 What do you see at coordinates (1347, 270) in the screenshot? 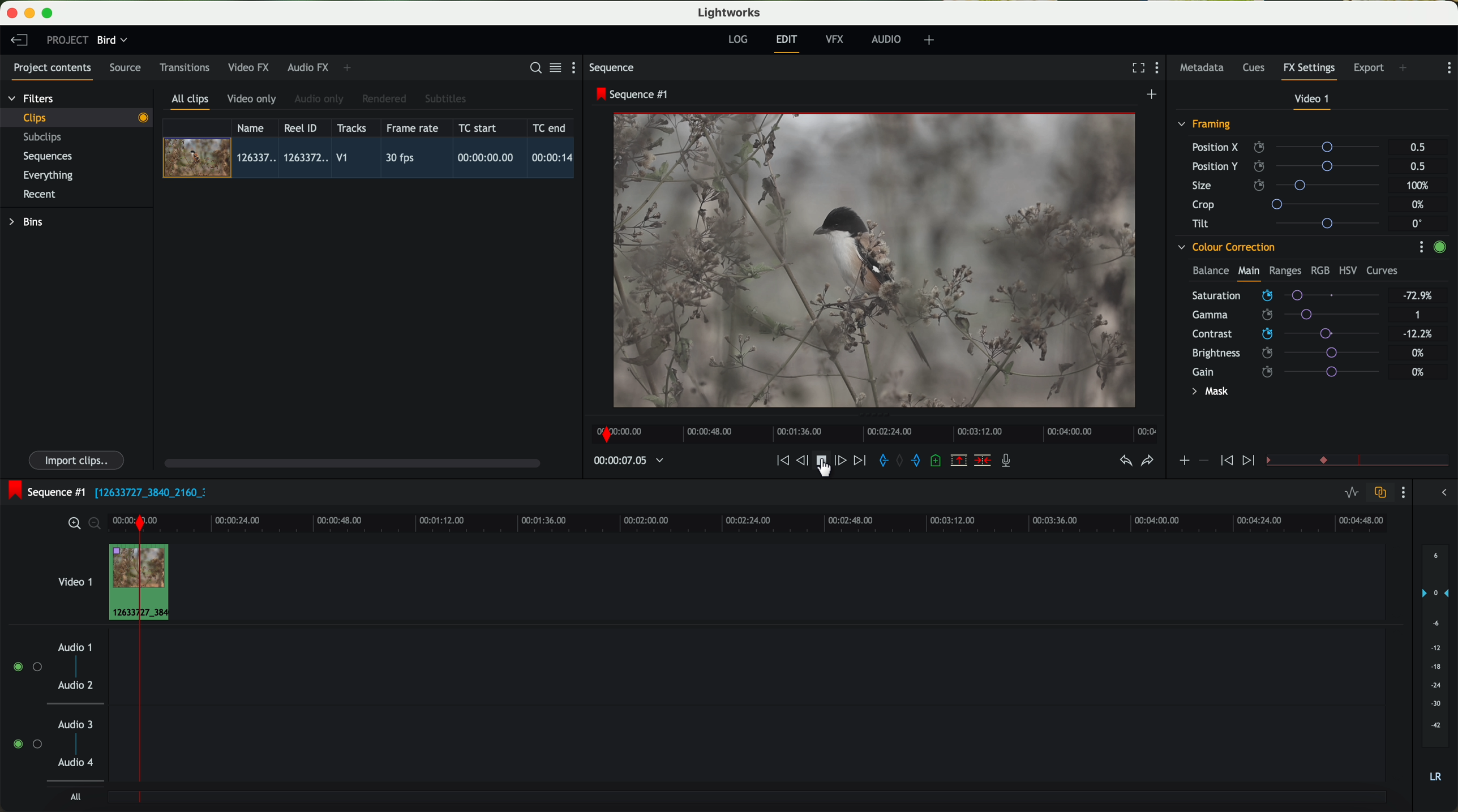
I see `HSV` at bounding box center [1347, 270].